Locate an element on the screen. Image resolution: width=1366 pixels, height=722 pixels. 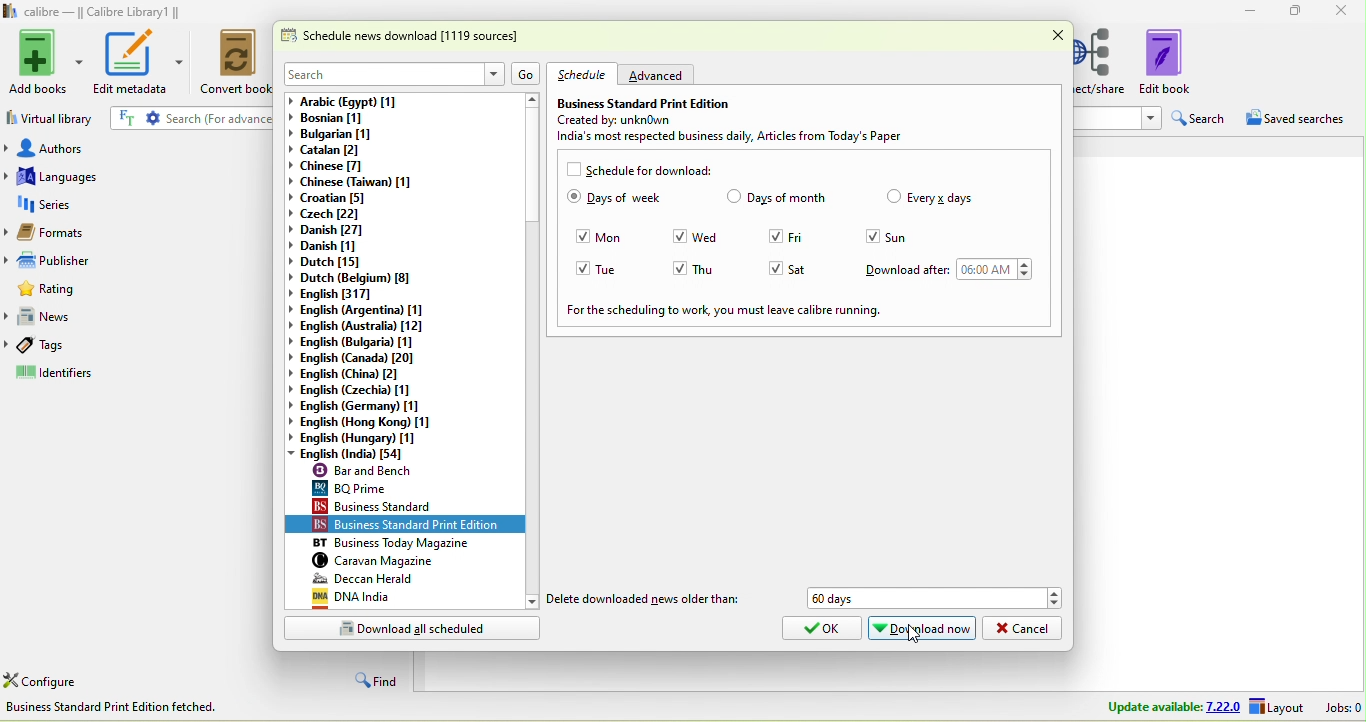
english(czechia)[1] is located at coordinates (367, 390).